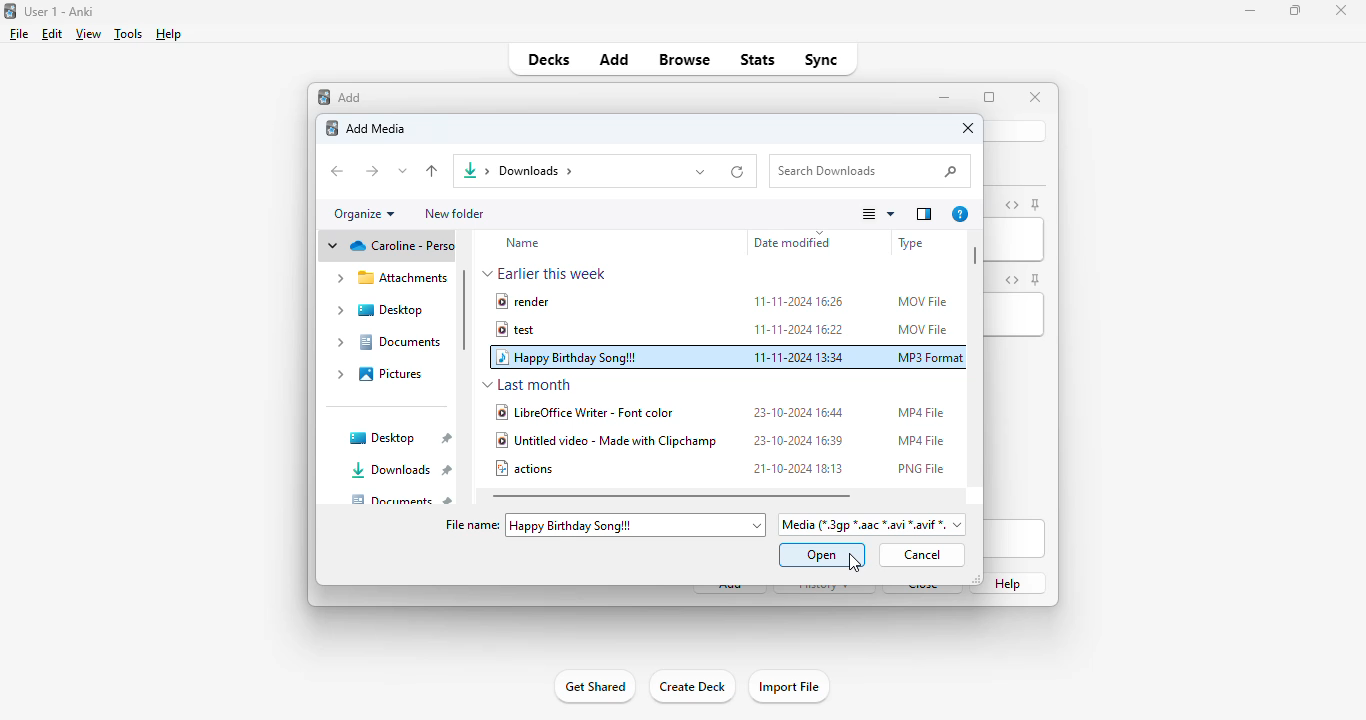 This screenshot has height=720, width=1366. I want to click on back, so click(336, 171).